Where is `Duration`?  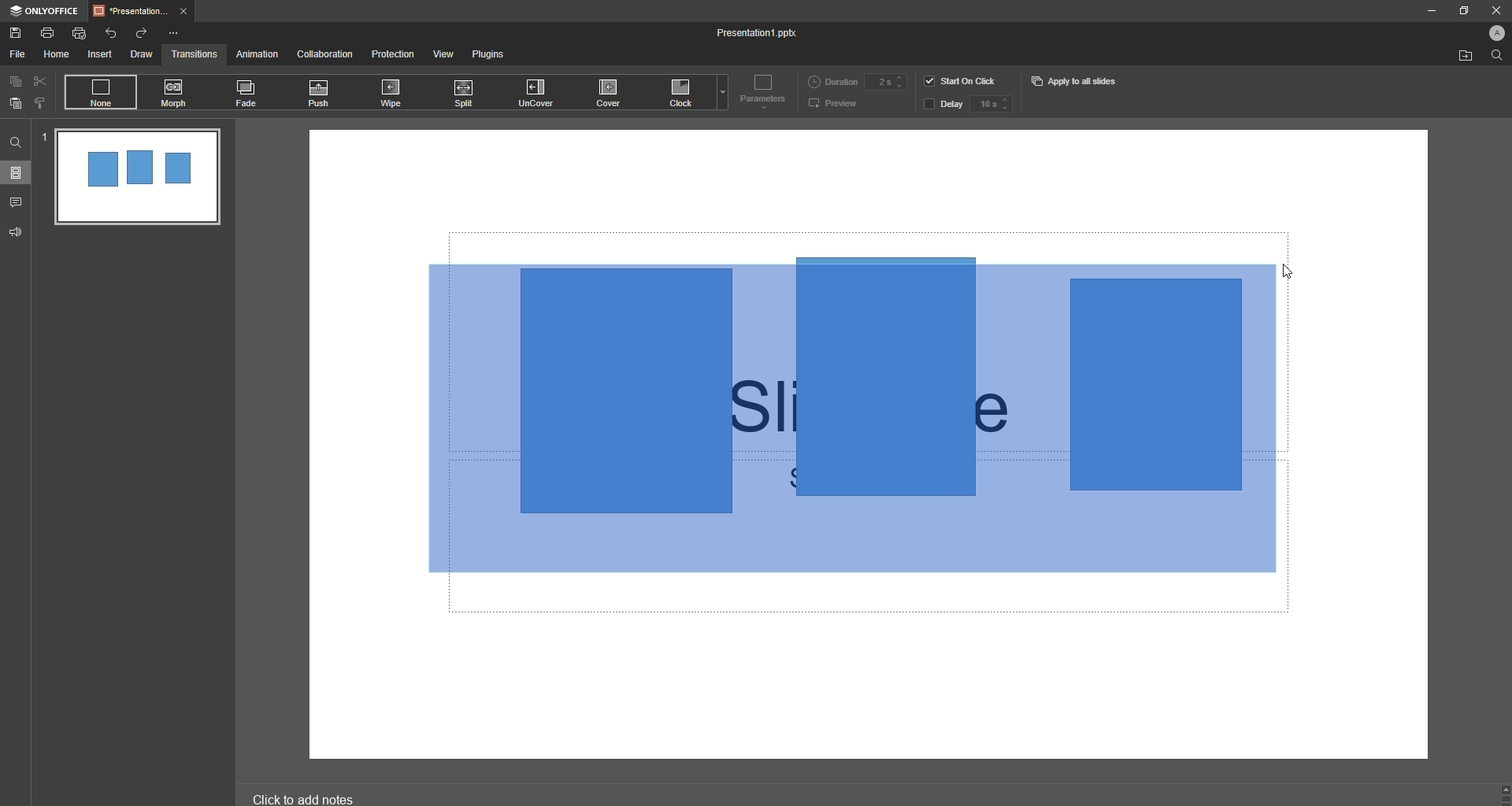 Duration is located at coordinates (832, 80).